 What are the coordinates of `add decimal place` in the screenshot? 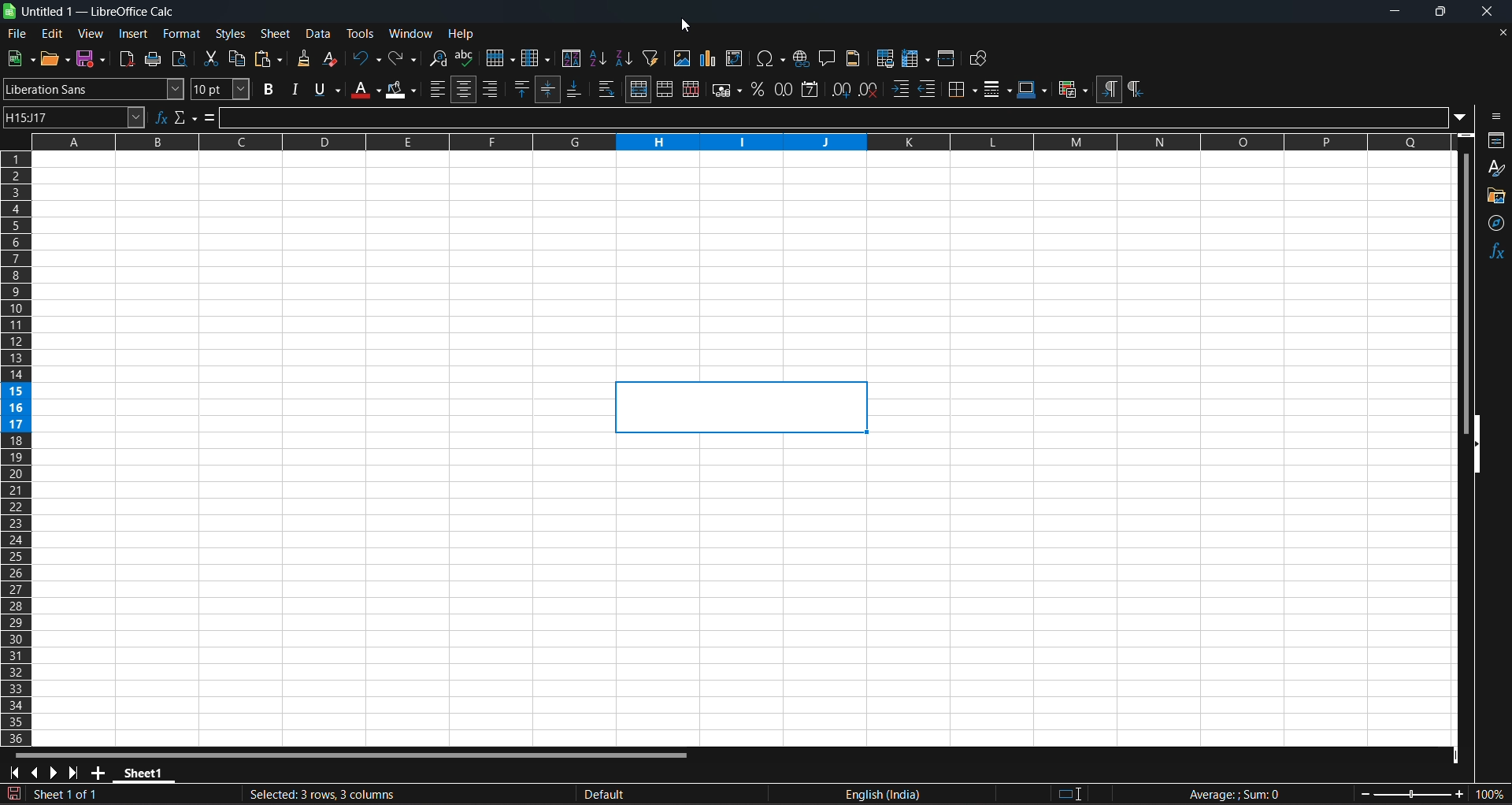 It's located at (844, 90).